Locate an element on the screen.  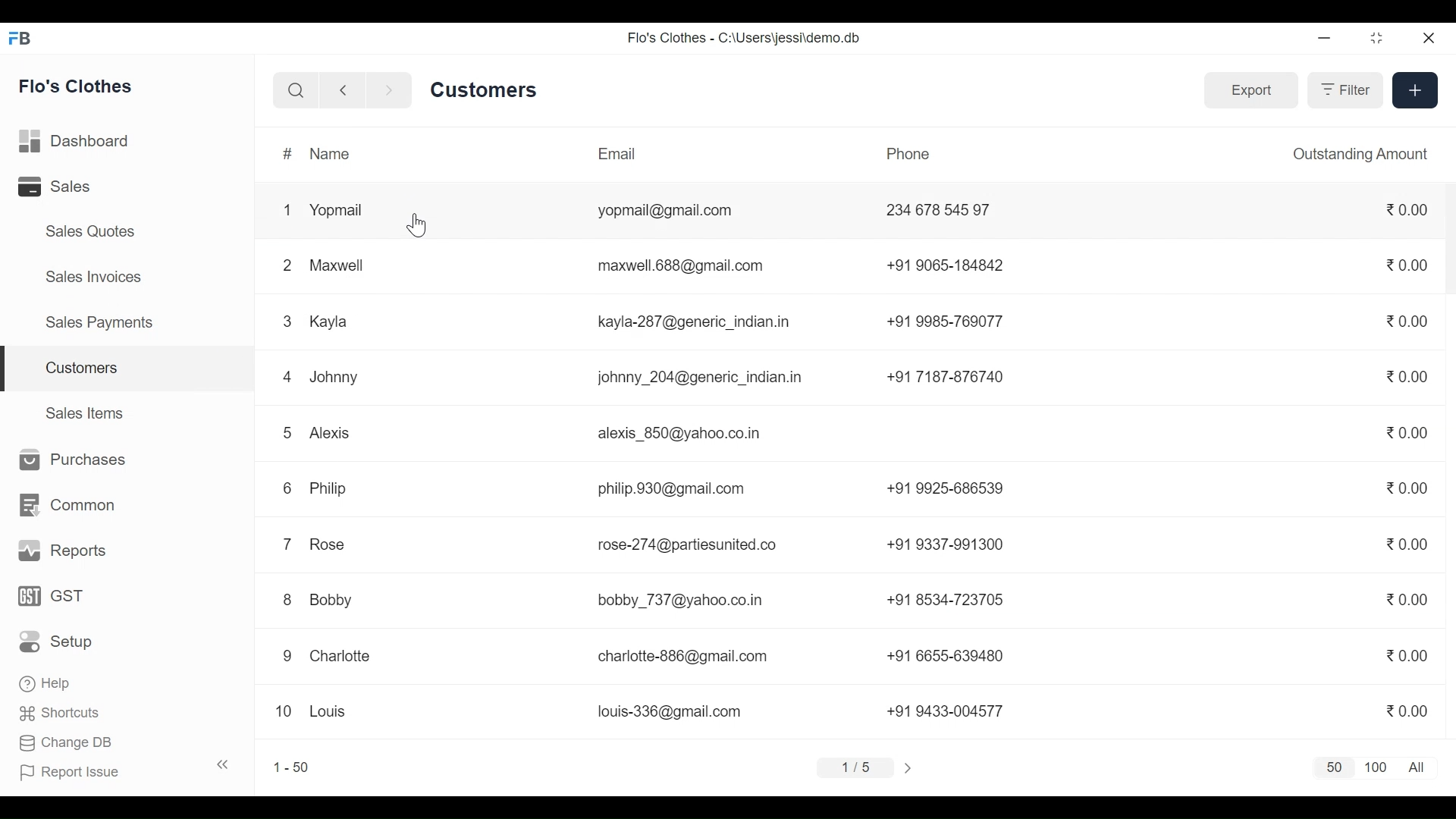
+91 6655-639480 is located at coordinates (949, 656).